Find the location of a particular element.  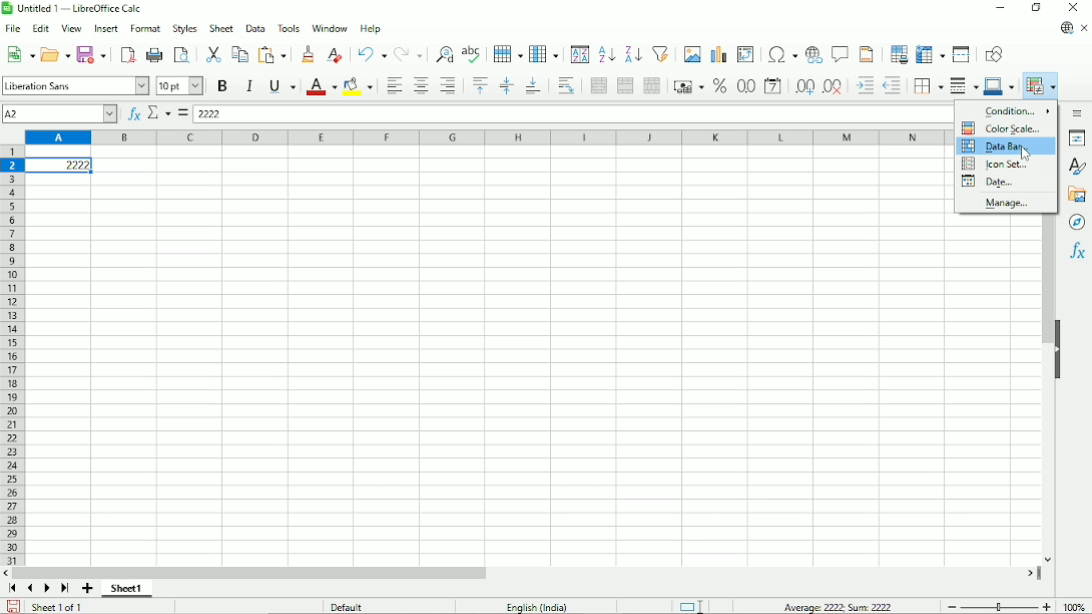

Add decimal place is located at coordinates (804, 86).